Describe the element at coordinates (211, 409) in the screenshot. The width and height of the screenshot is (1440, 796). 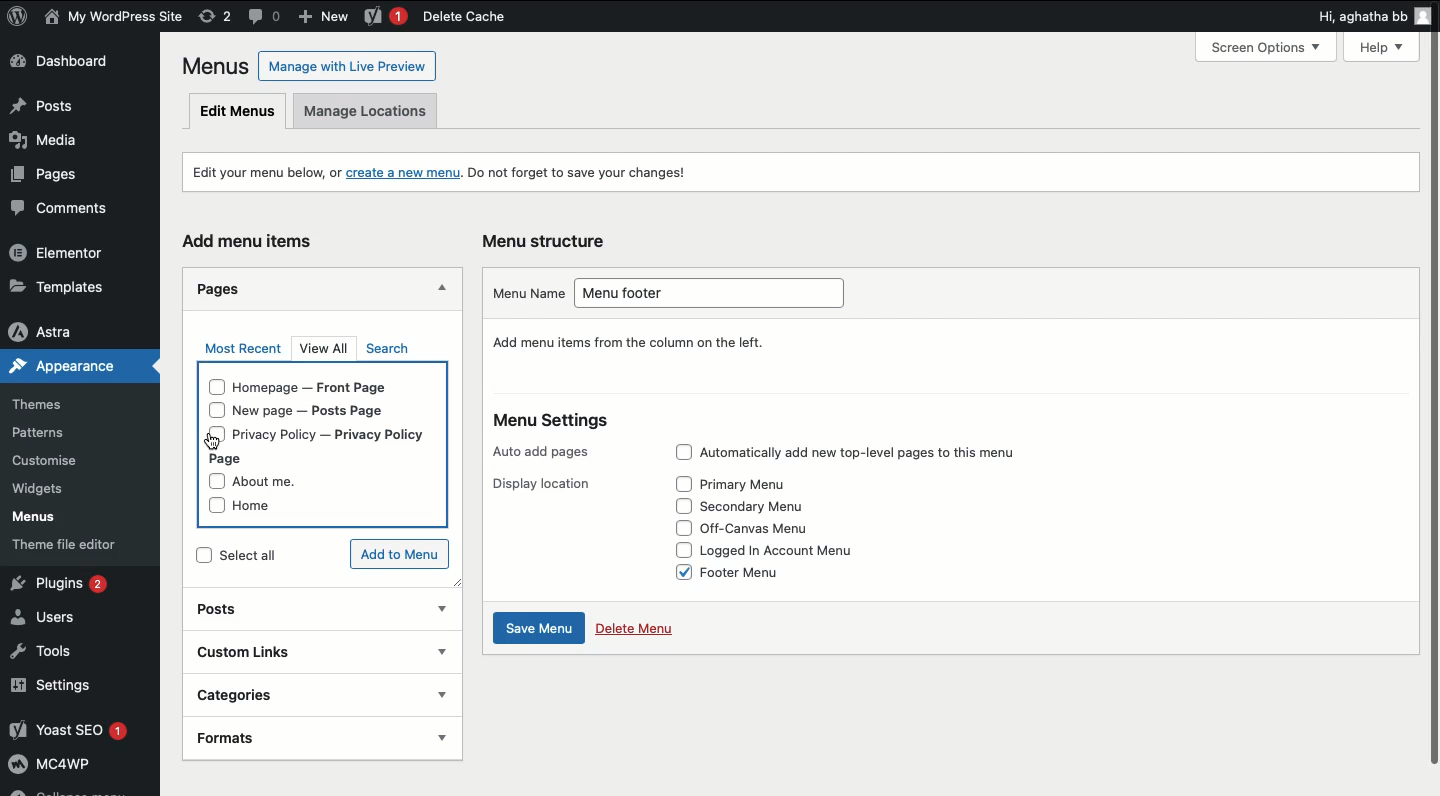
I see `checkbox` at that location.